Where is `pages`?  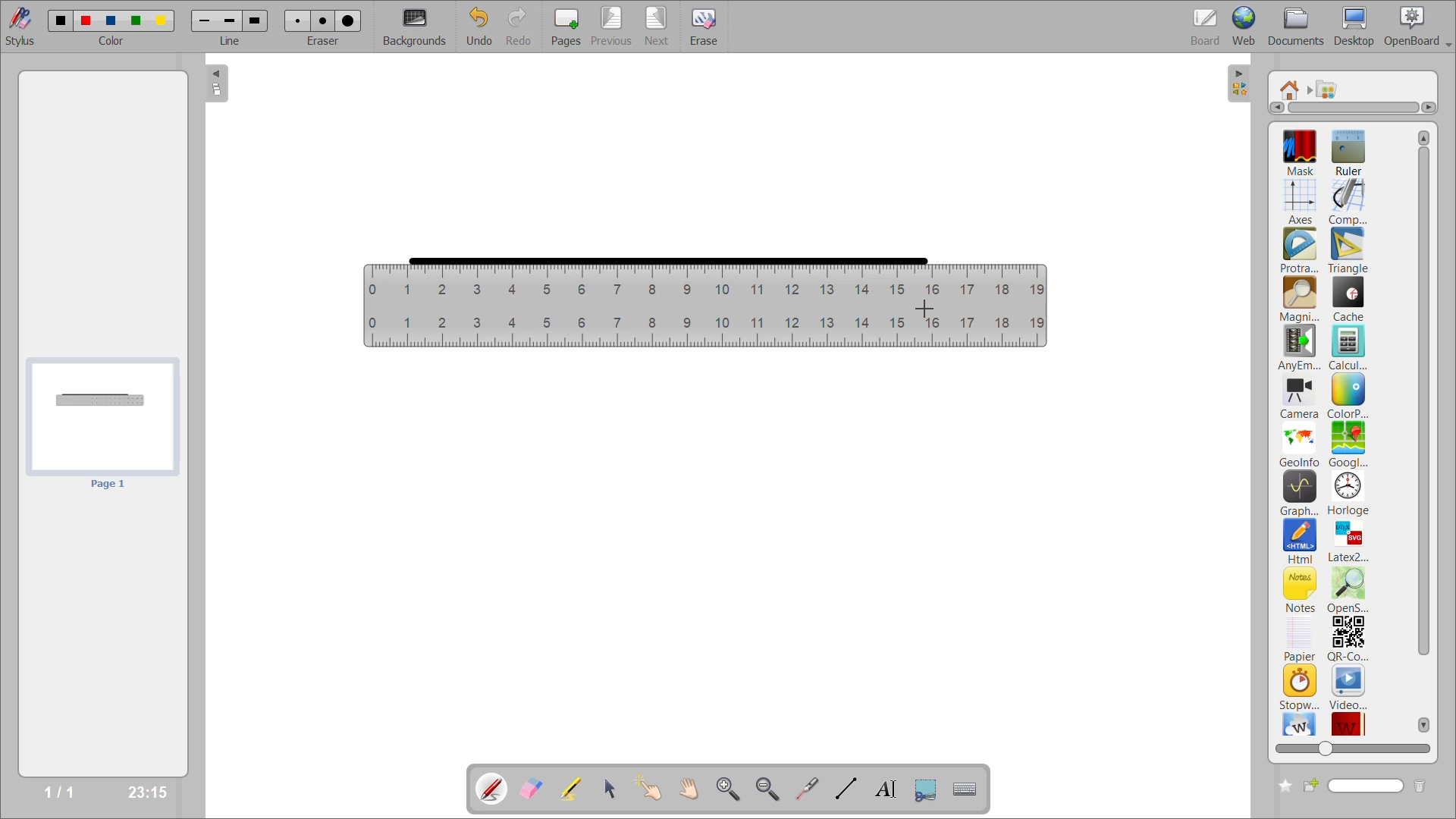
pages is located at coordinates (570, 24).